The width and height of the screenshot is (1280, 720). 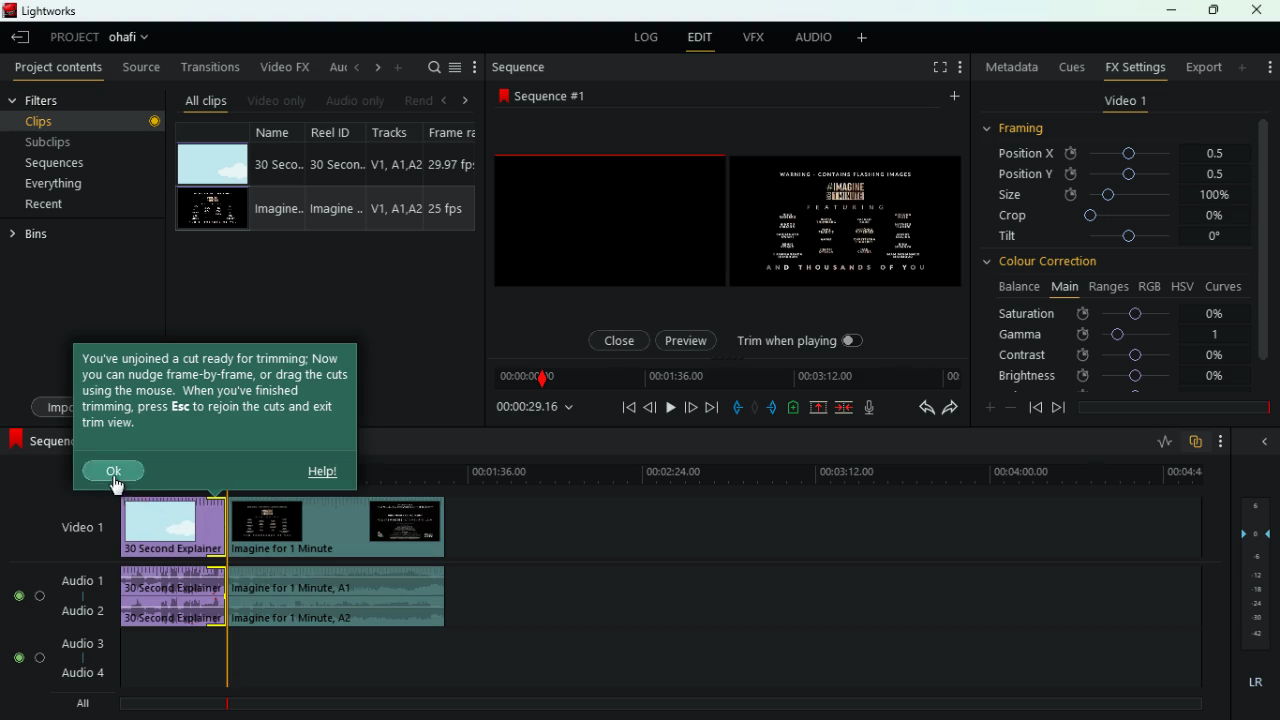 What do you see at coordinates (521, 67) in the screenshot?
I see `sequence` at bounding box center [521, 67].